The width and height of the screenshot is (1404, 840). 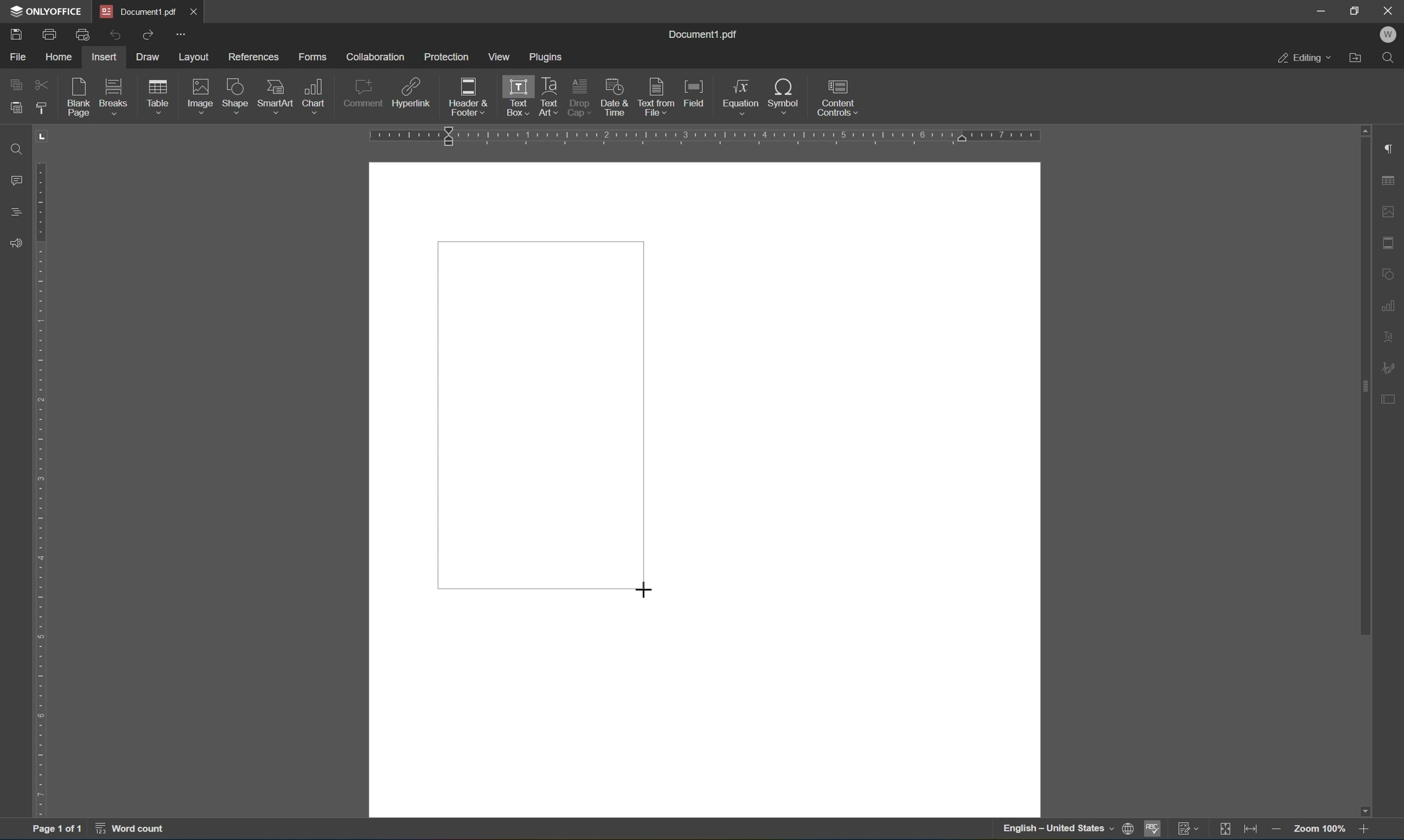 What do you see at coordinates (446, 56) in the screenshot?
I see `protection` at bounding box center [446, 56].